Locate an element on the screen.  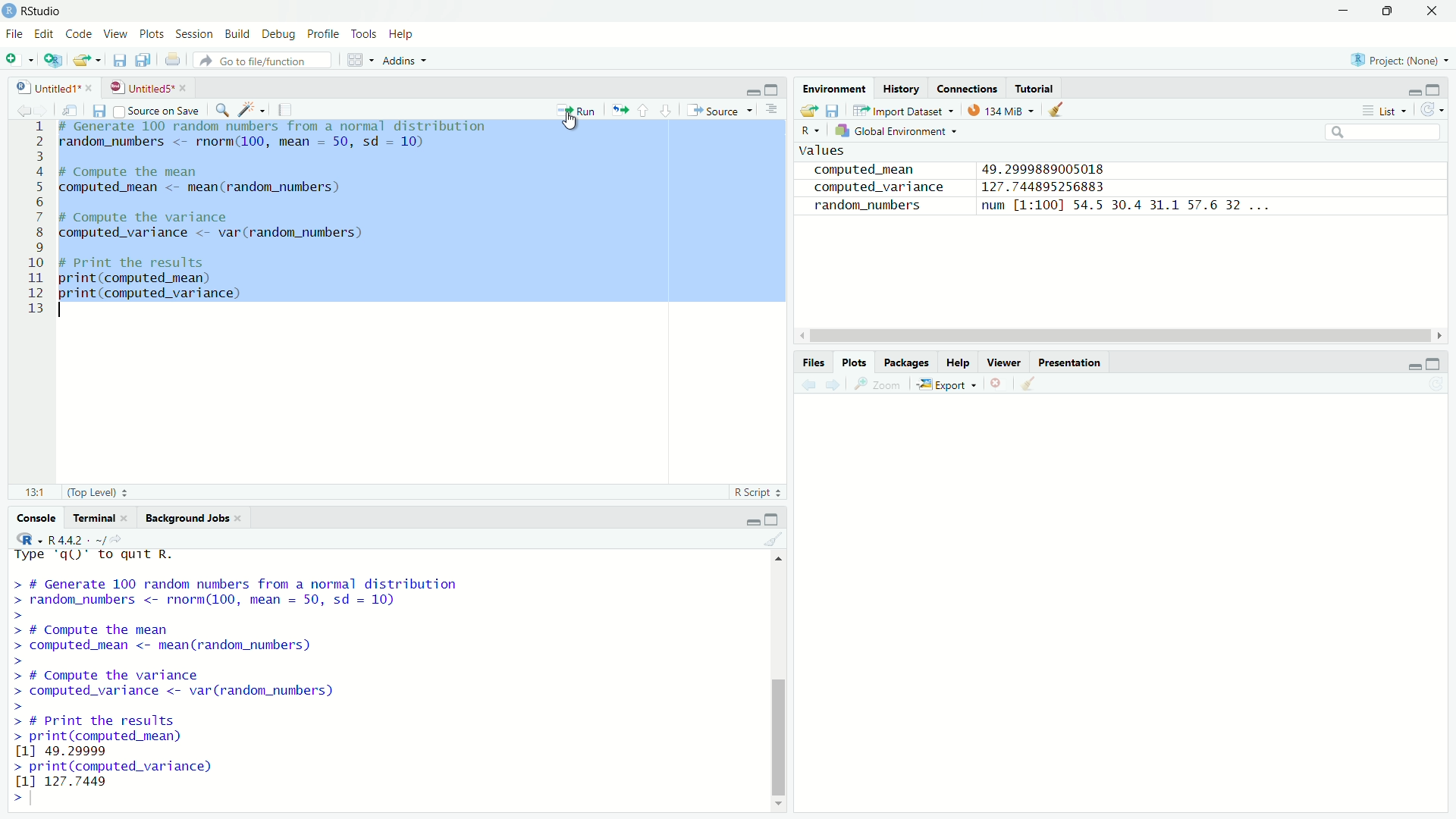
close is located at coordinates (93, 86).